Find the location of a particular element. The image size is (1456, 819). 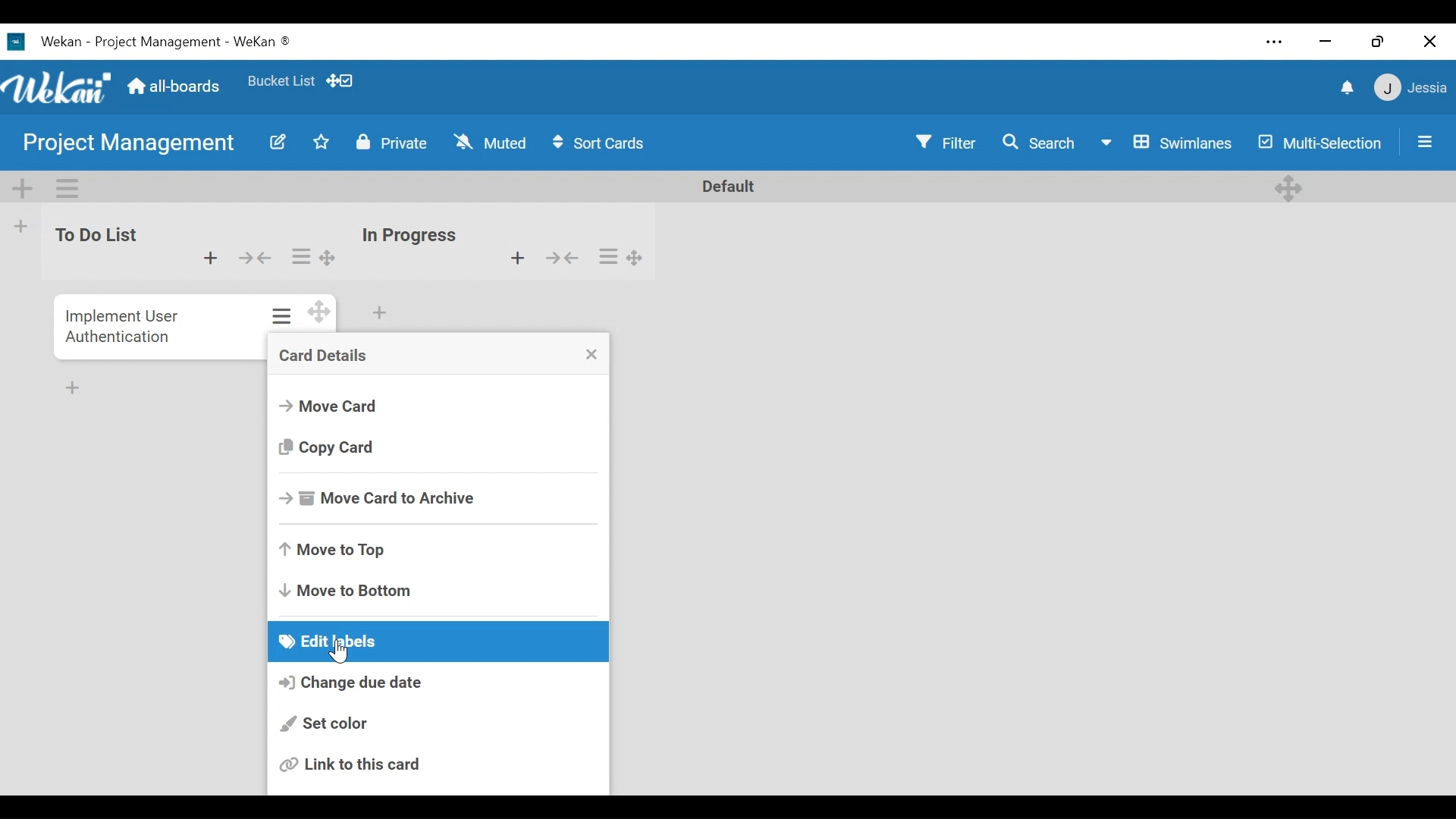

In Progress is located at coordinates (411, 236).